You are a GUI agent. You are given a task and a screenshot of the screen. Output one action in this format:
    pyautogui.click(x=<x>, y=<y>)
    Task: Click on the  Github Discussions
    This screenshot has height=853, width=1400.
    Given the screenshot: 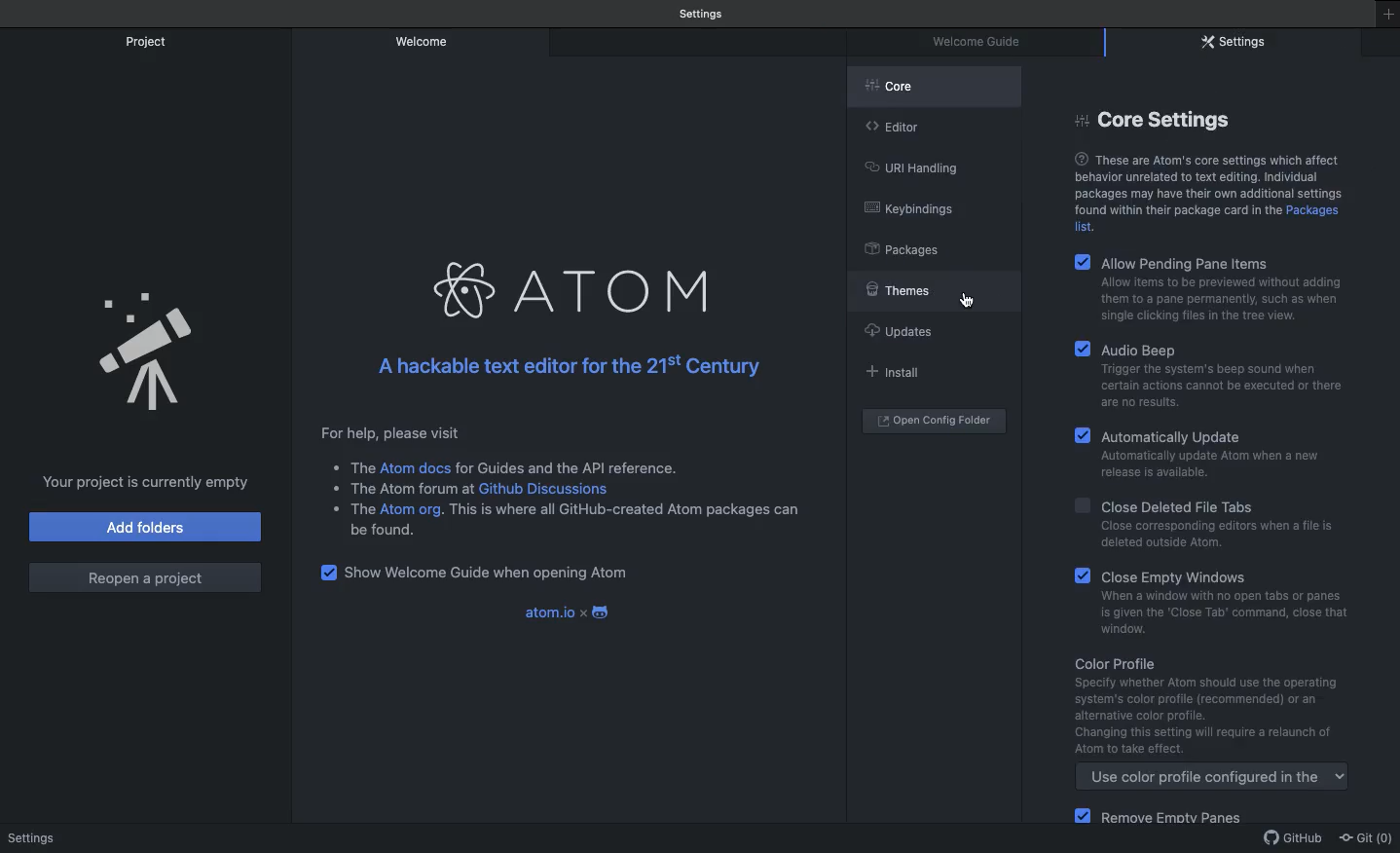 What is the action you would take?
    pyautogui.click(x=548, y=487)
    